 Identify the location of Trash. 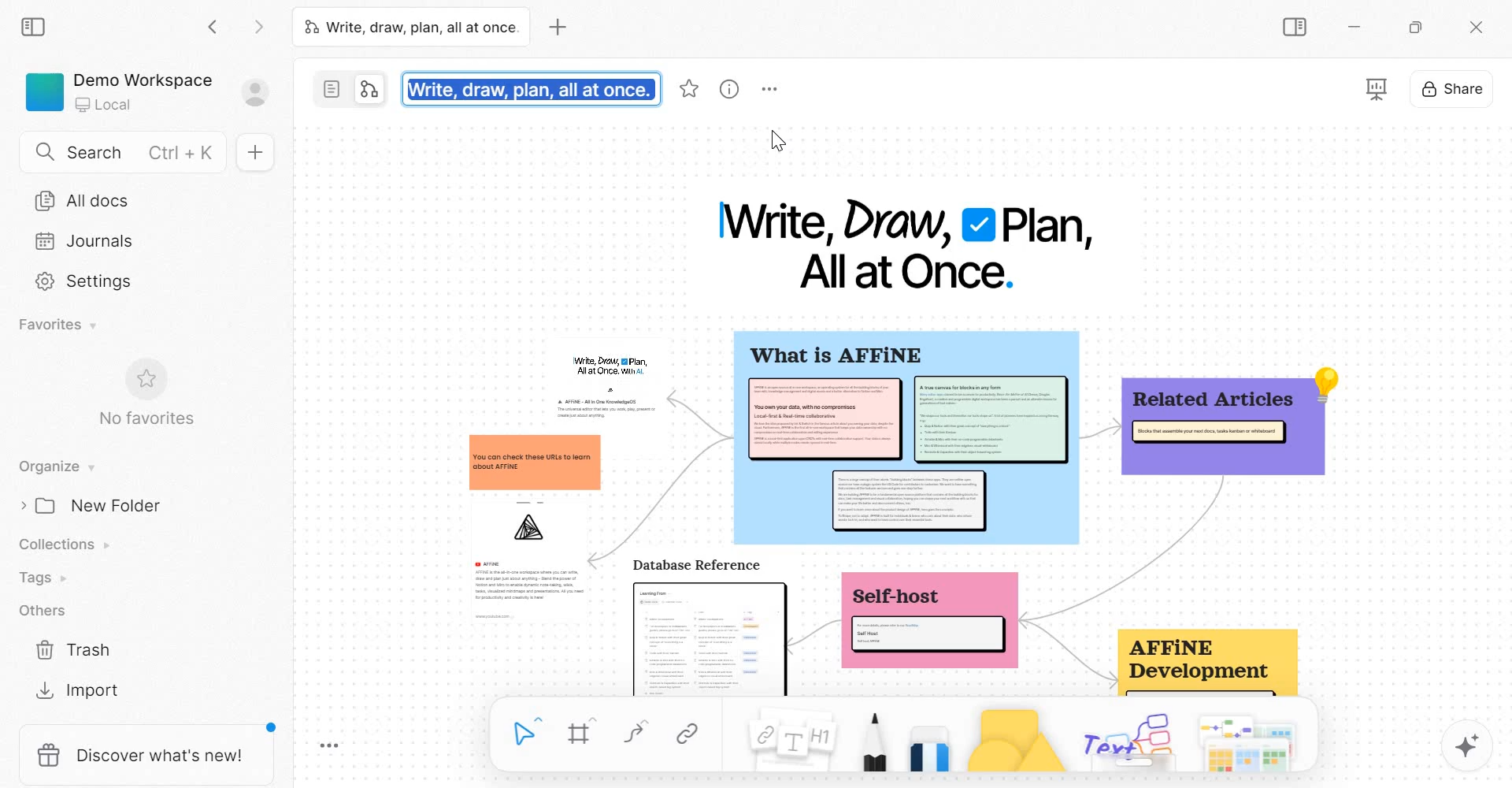
(73, 647).